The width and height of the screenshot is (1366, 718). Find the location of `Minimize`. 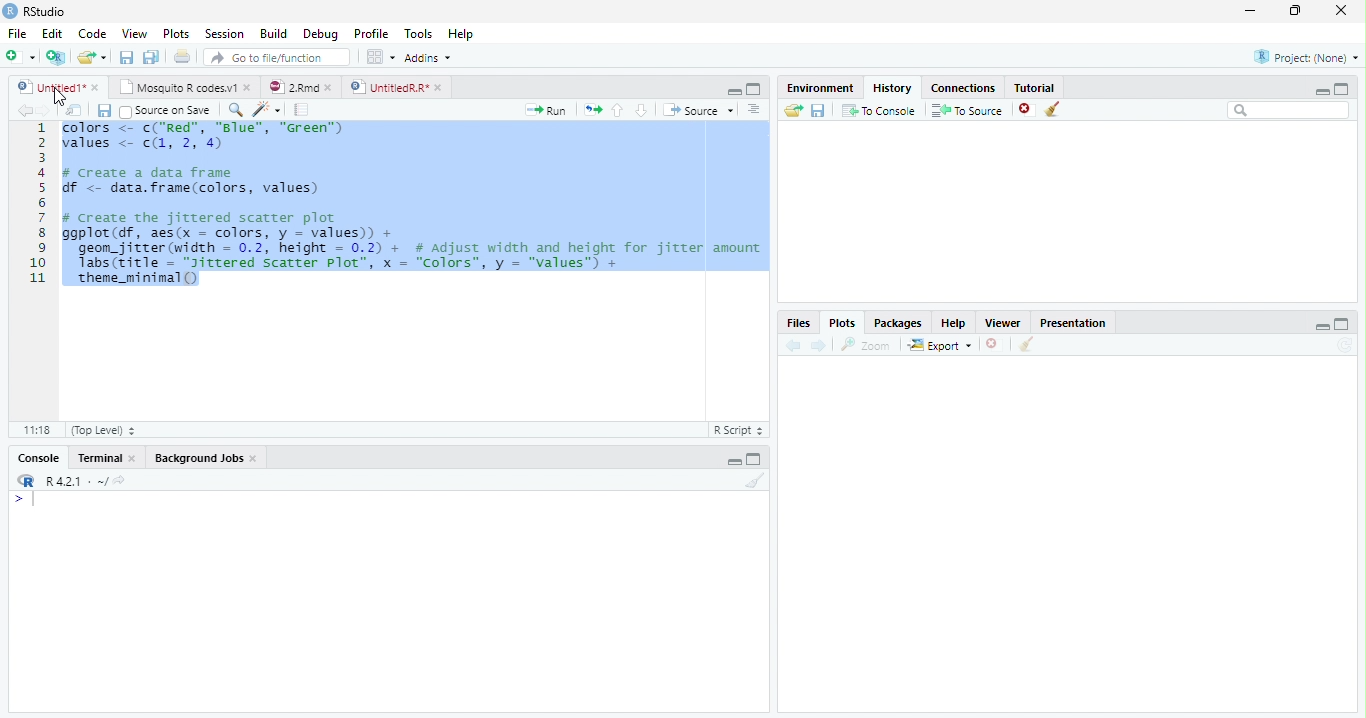

Minimize is located at coordinates (733, 462).